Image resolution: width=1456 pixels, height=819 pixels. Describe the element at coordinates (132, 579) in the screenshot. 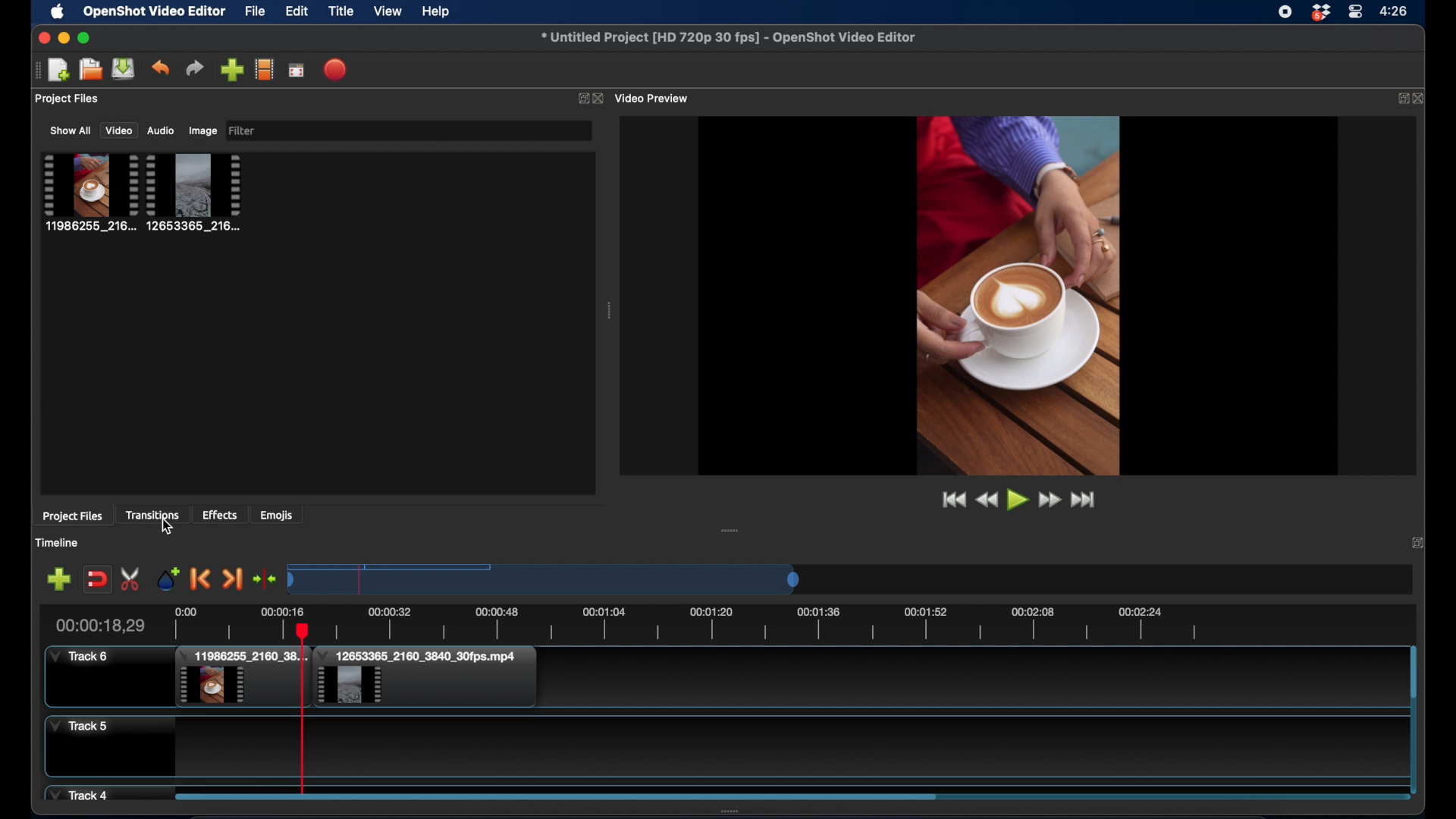

I see `enable razor` at that location.